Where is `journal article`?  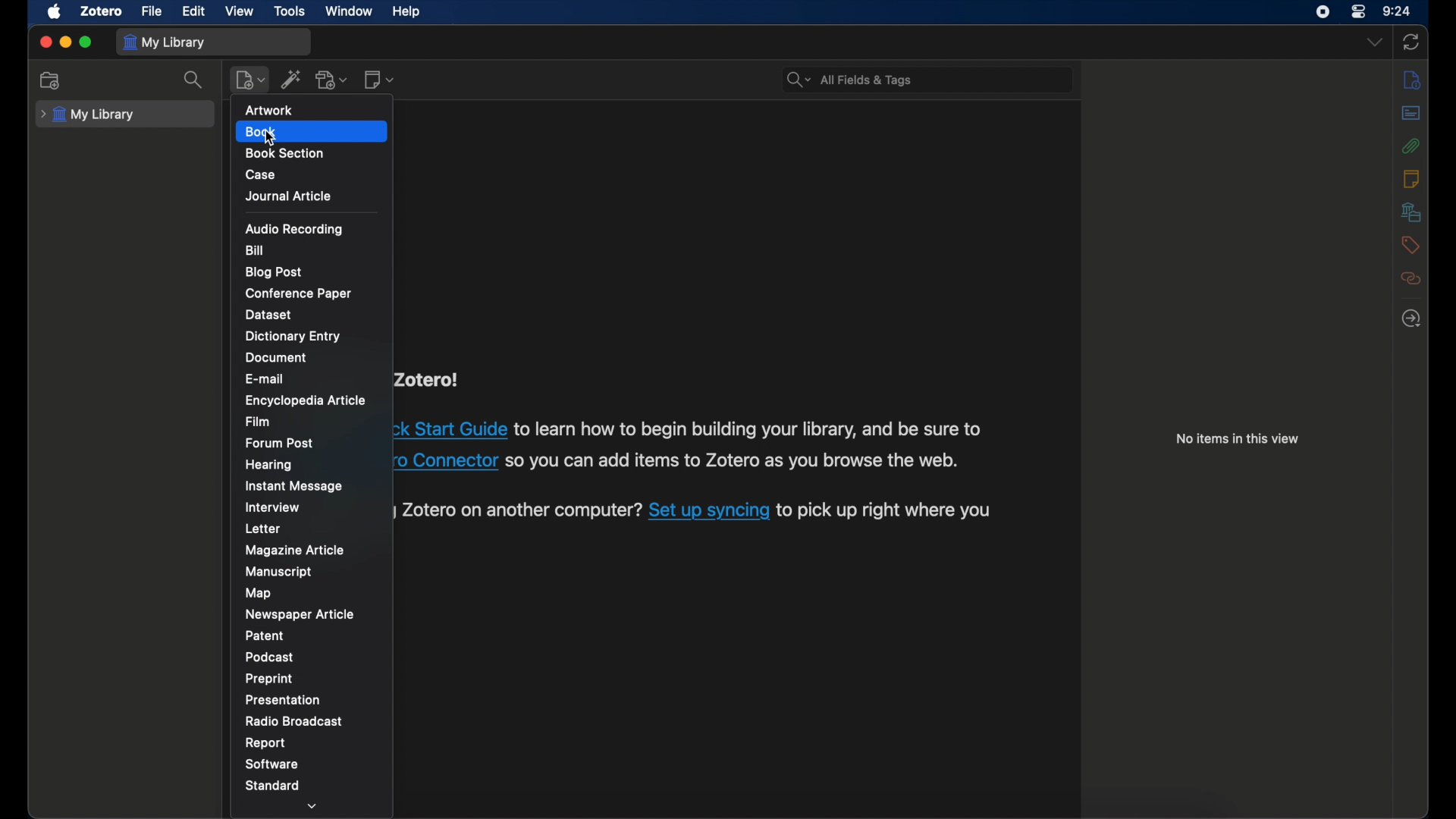
journal article is located at coordinates (287, 196).